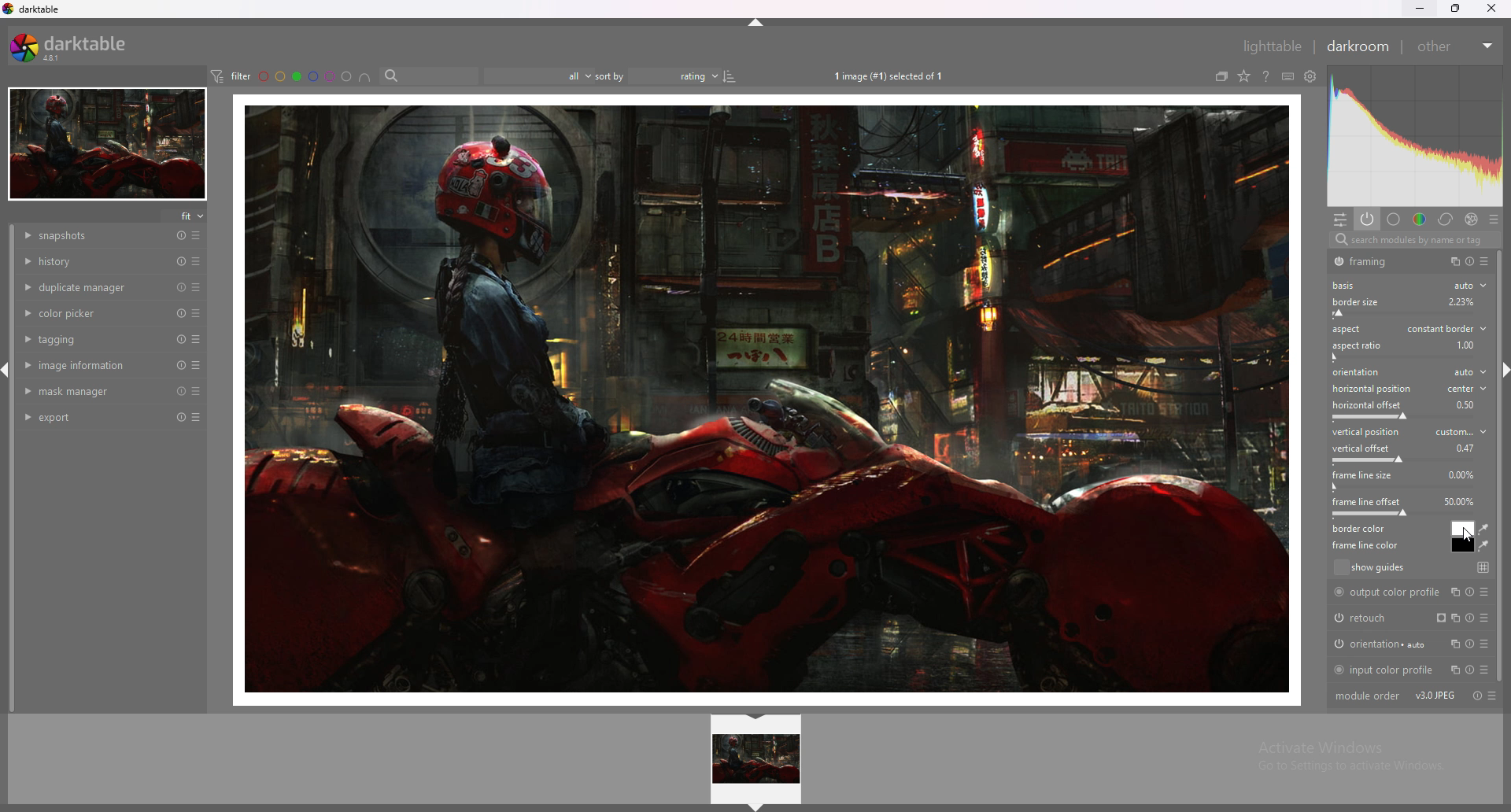  Describe the element at coordinates (181, 236) in the screenshot. I see `reset` at that location.